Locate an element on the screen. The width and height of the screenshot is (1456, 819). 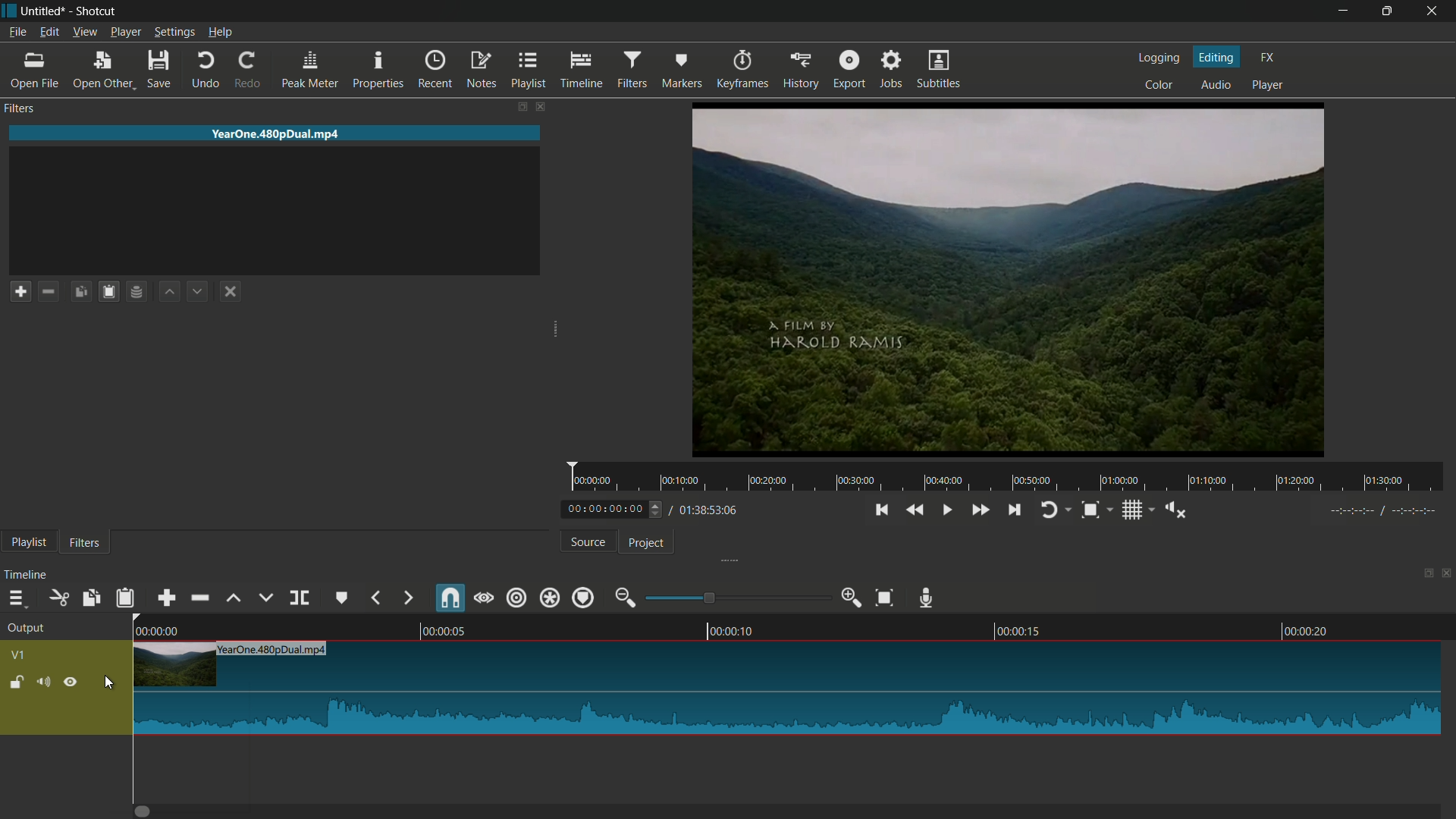
change layout is located at coordinates (521, 106).